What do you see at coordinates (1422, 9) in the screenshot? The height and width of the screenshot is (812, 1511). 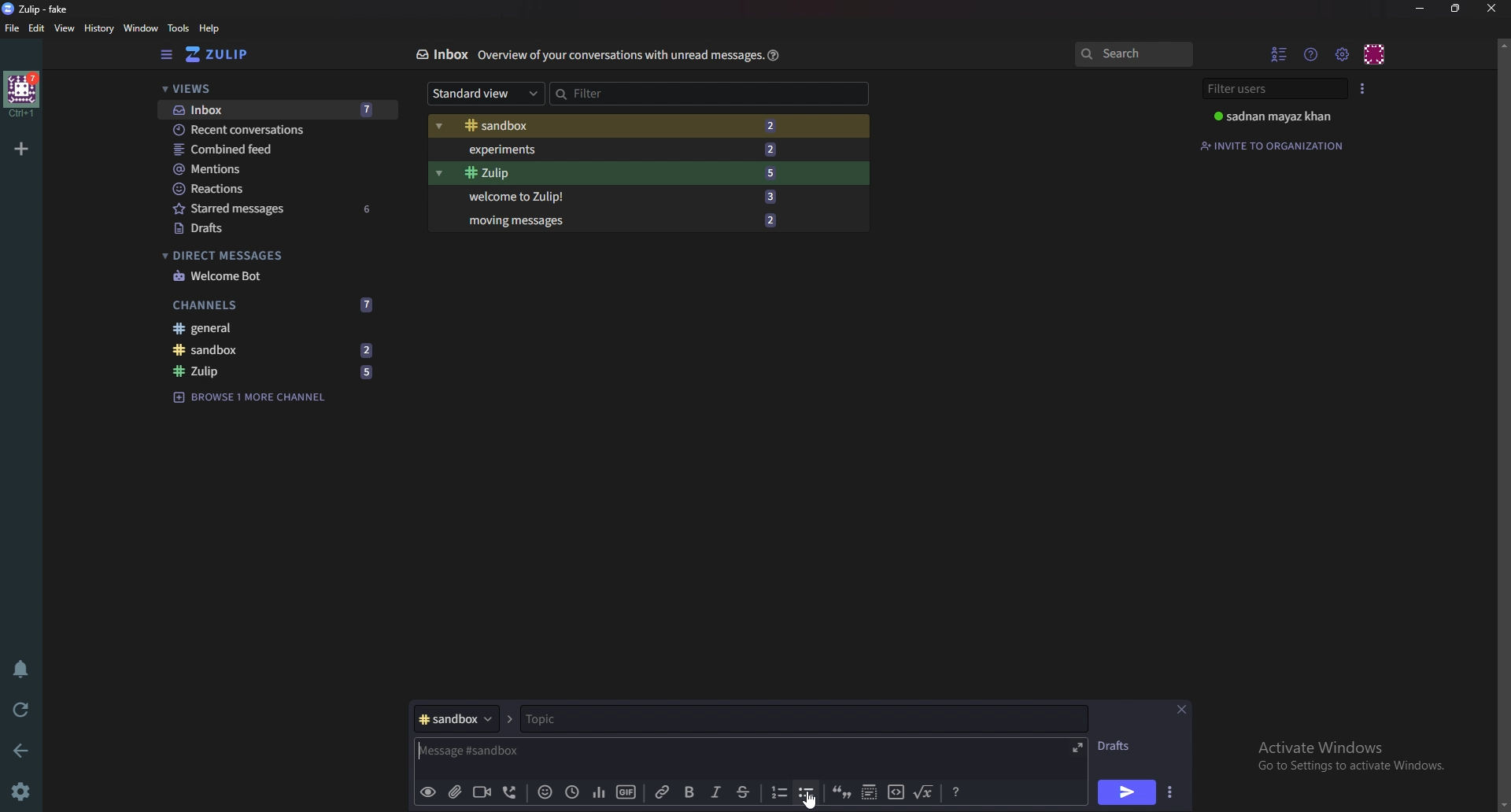 I see `Minimize` at bounding box center [1422, 9].